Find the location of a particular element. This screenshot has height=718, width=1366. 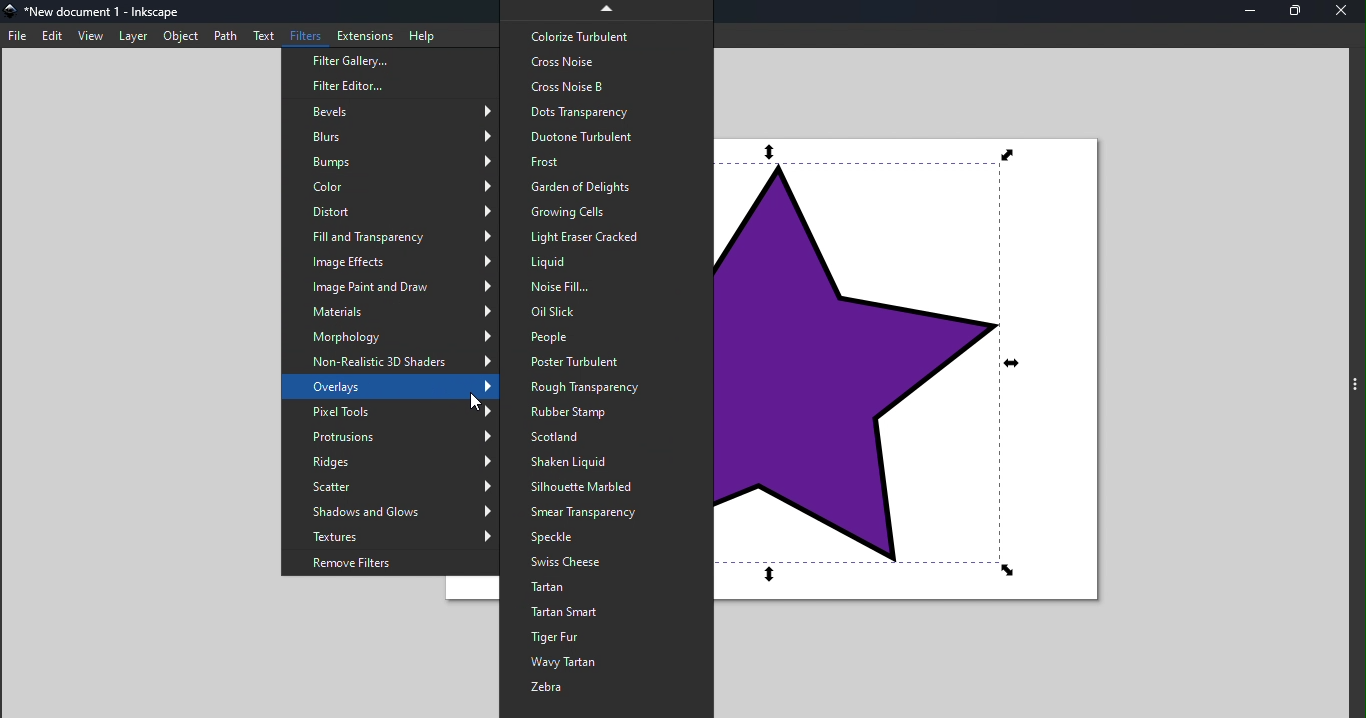

Cross Noise B is located at coordinates (608, 87).